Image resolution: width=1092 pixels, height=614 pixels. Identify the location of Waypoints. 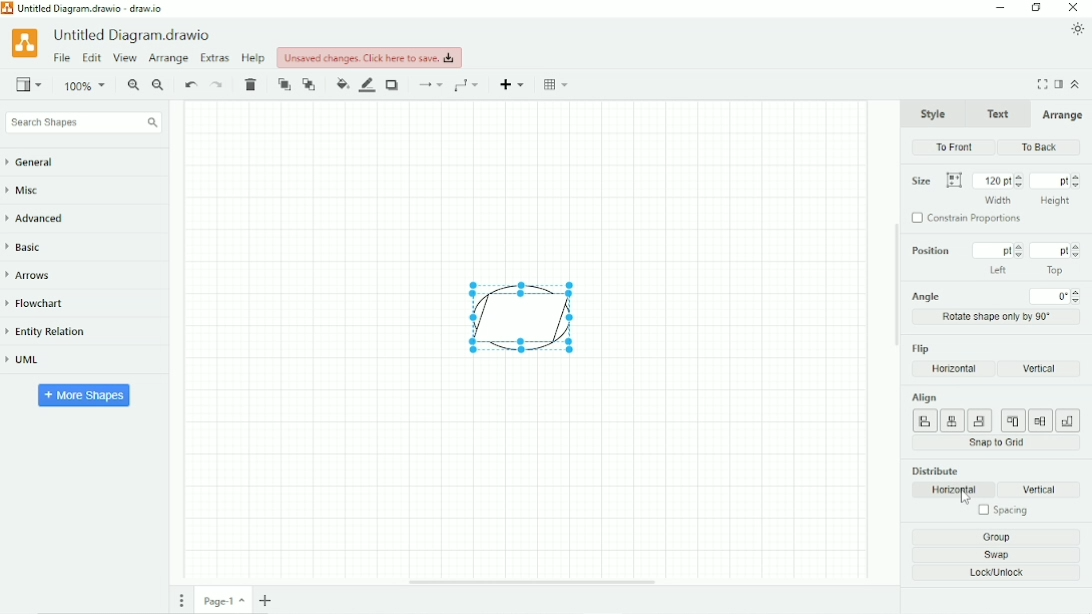
(469, 85).